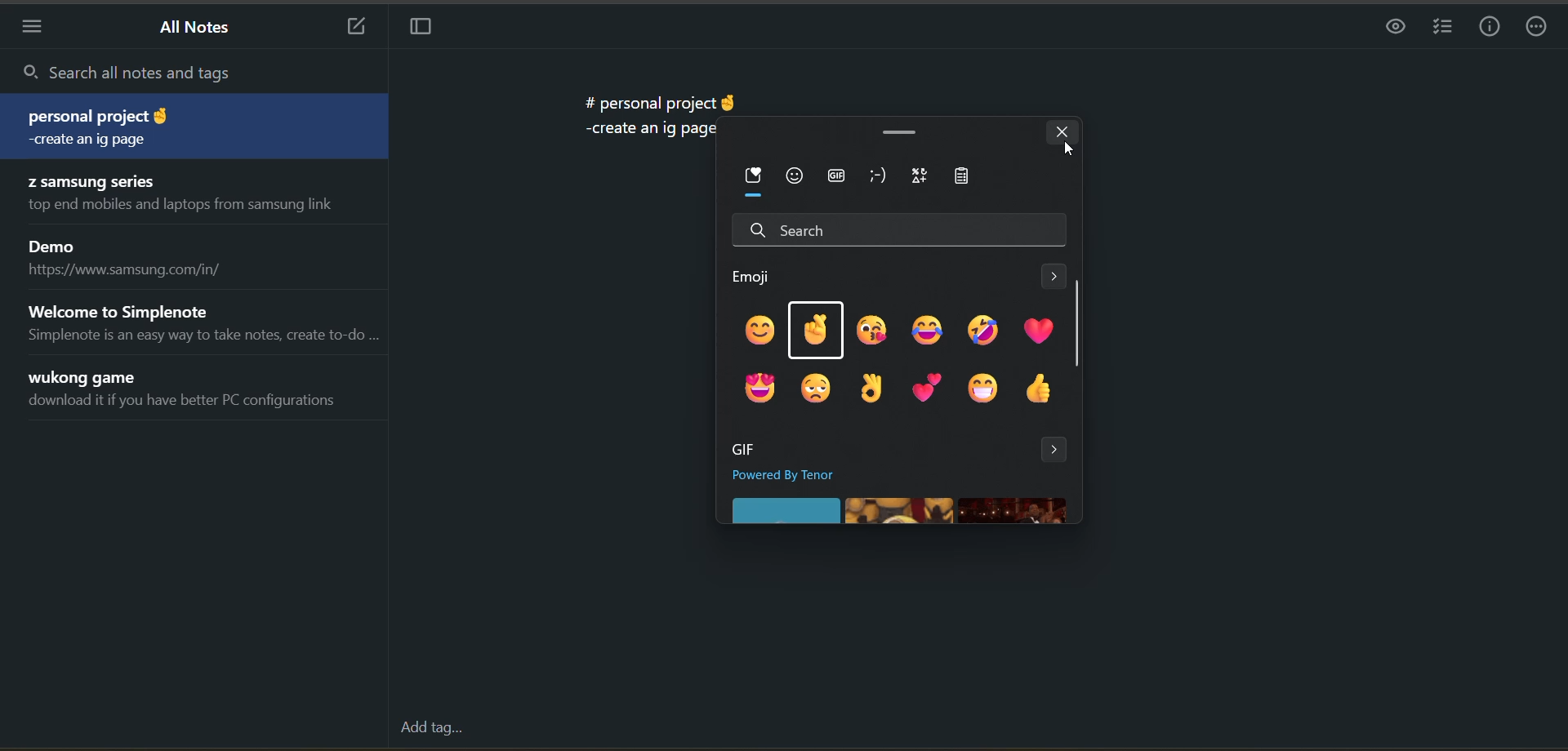  Describe the element at coordinates (752, 180) in the screenshot. I see `most recently used` at that location.